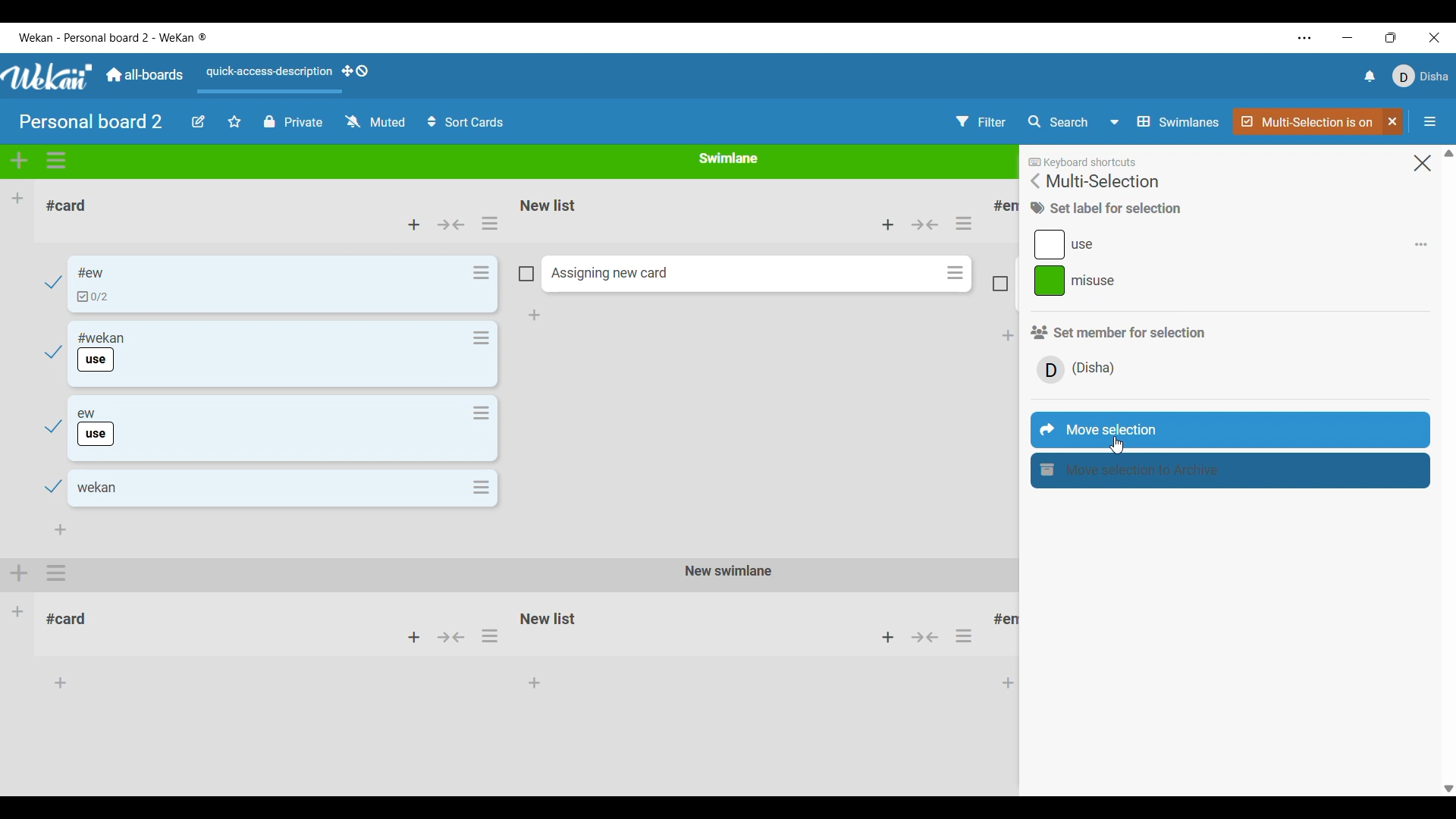  What do you see at coordinates (1120, 444) in the screenshot?
I see `cursor` at bounding box center [1120, 444].